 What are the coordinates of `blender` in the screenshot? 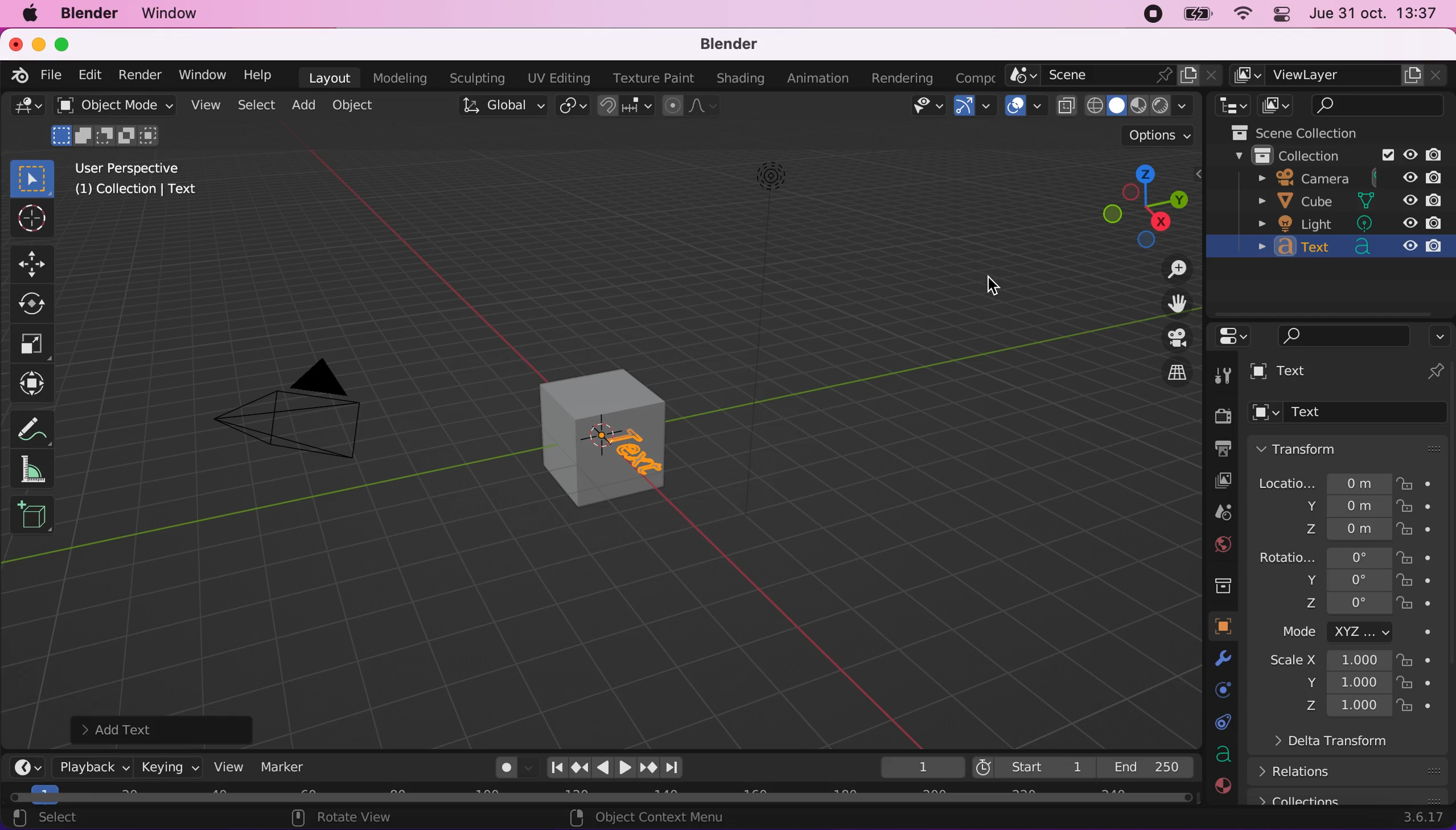 It's located at (87, 15).